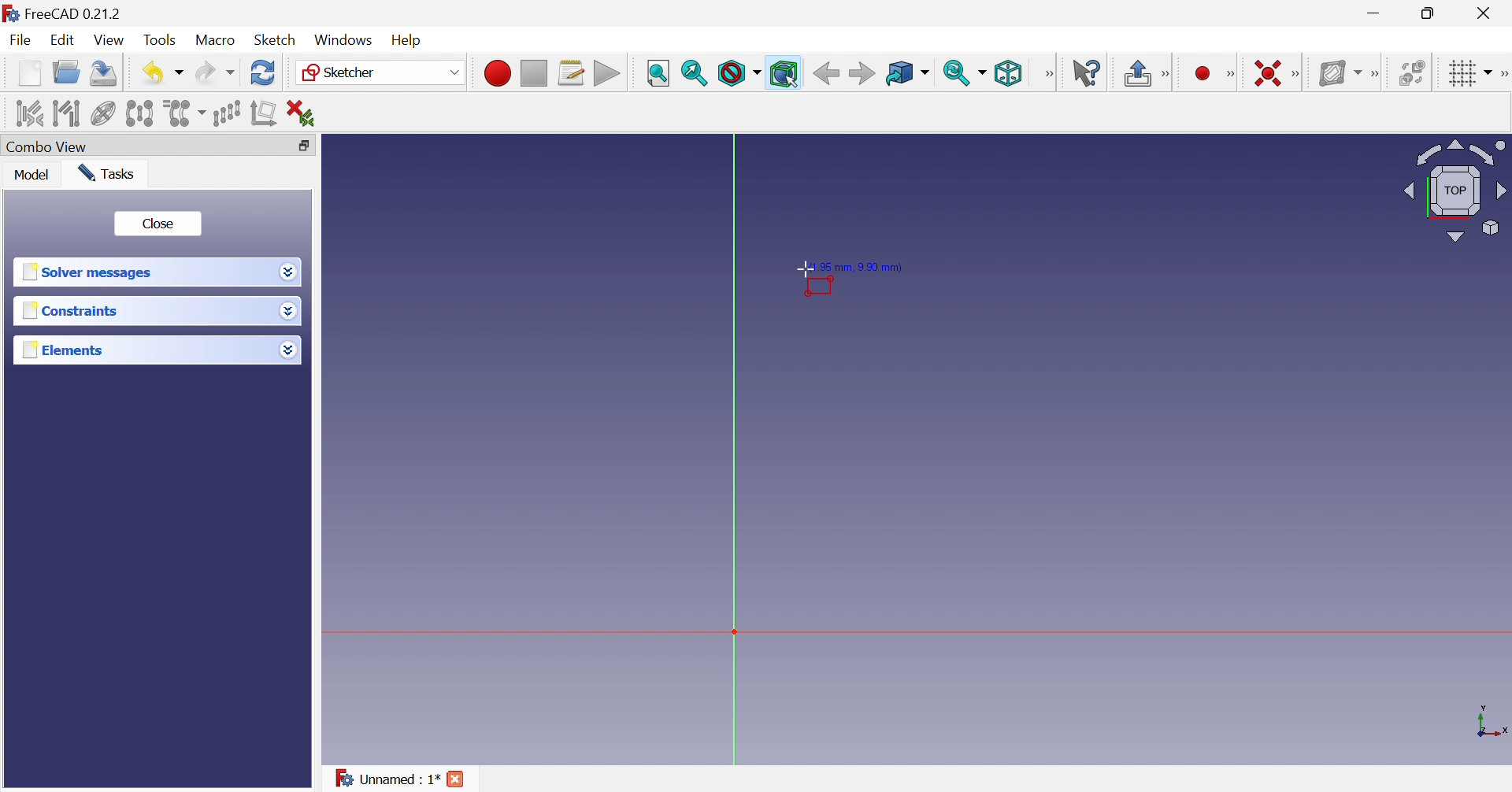 The width and height of the screenshot is (1512, 792). What do you see at coordinates (456, 778) in the screenshot?
I see `Close` at bounding box center [456, 778].